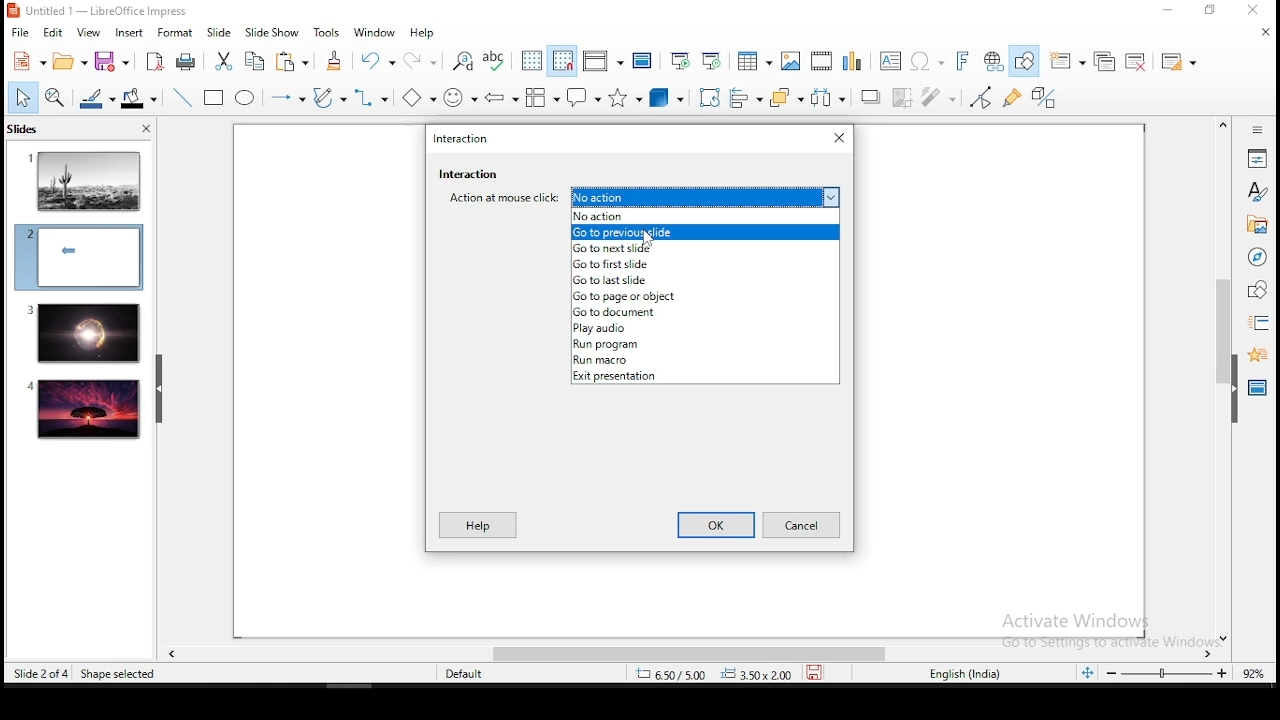 This screenshot has height=720, width=1280. What do you see at coordinates (1259, 386) in the screenshot?
I see `master slides` at bounding box center [1259, 386].